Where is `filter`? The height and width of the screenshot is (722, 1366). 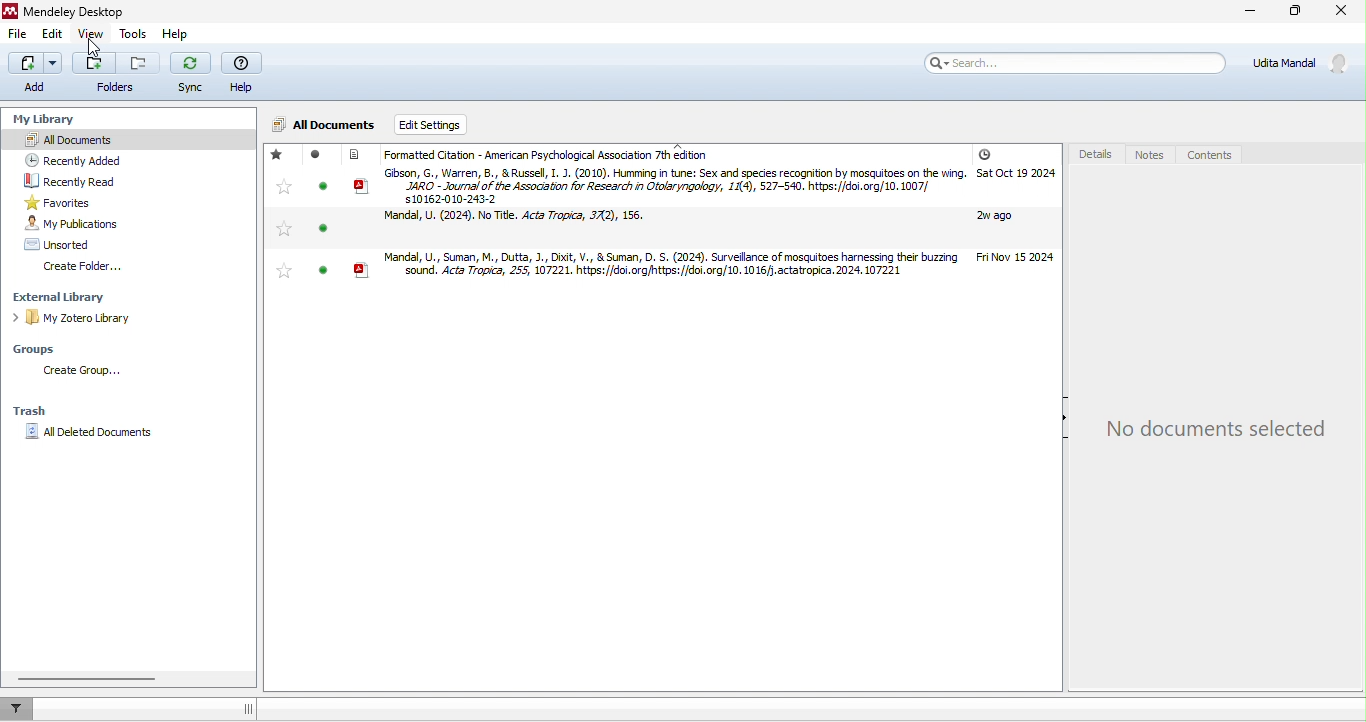
filter is located at coordinates (22, 709).